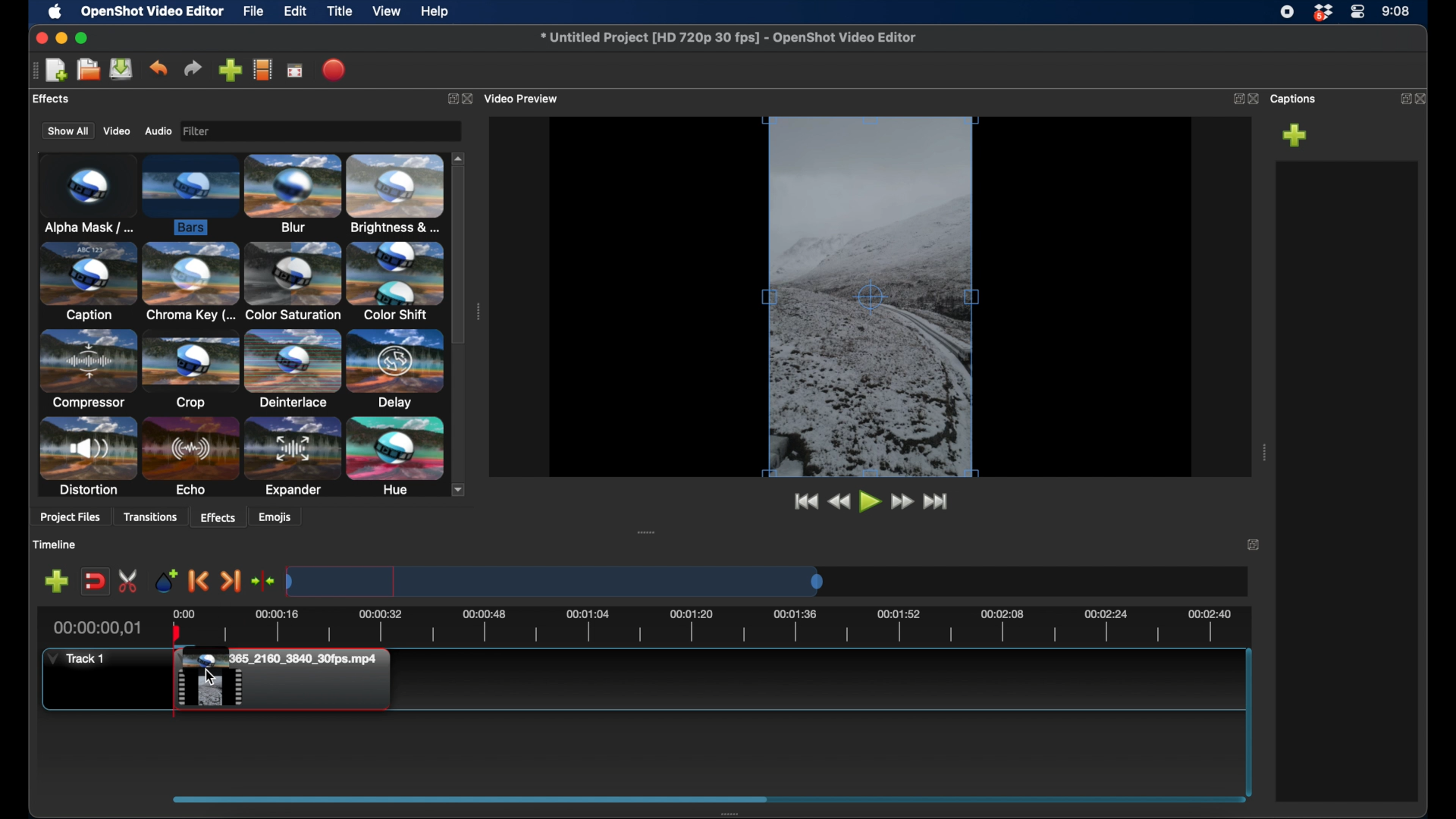 This screenshot has height=819, width=1456. What do you see at coordinates (182, 612) in the screenshot?
I see `0.00` at bounding box center [182, 612].